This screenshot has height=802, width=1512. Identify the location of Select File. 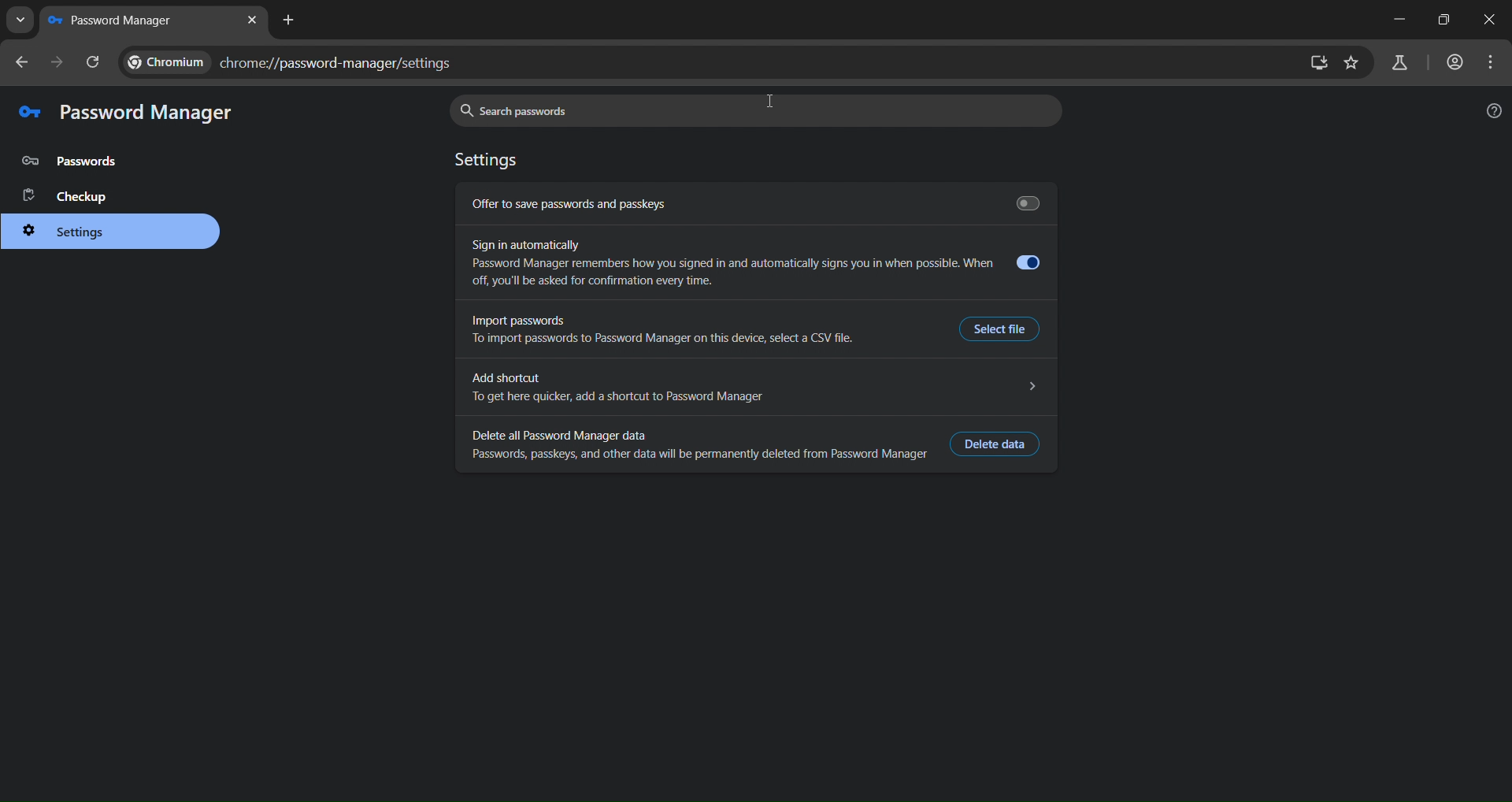
(1001, 331).